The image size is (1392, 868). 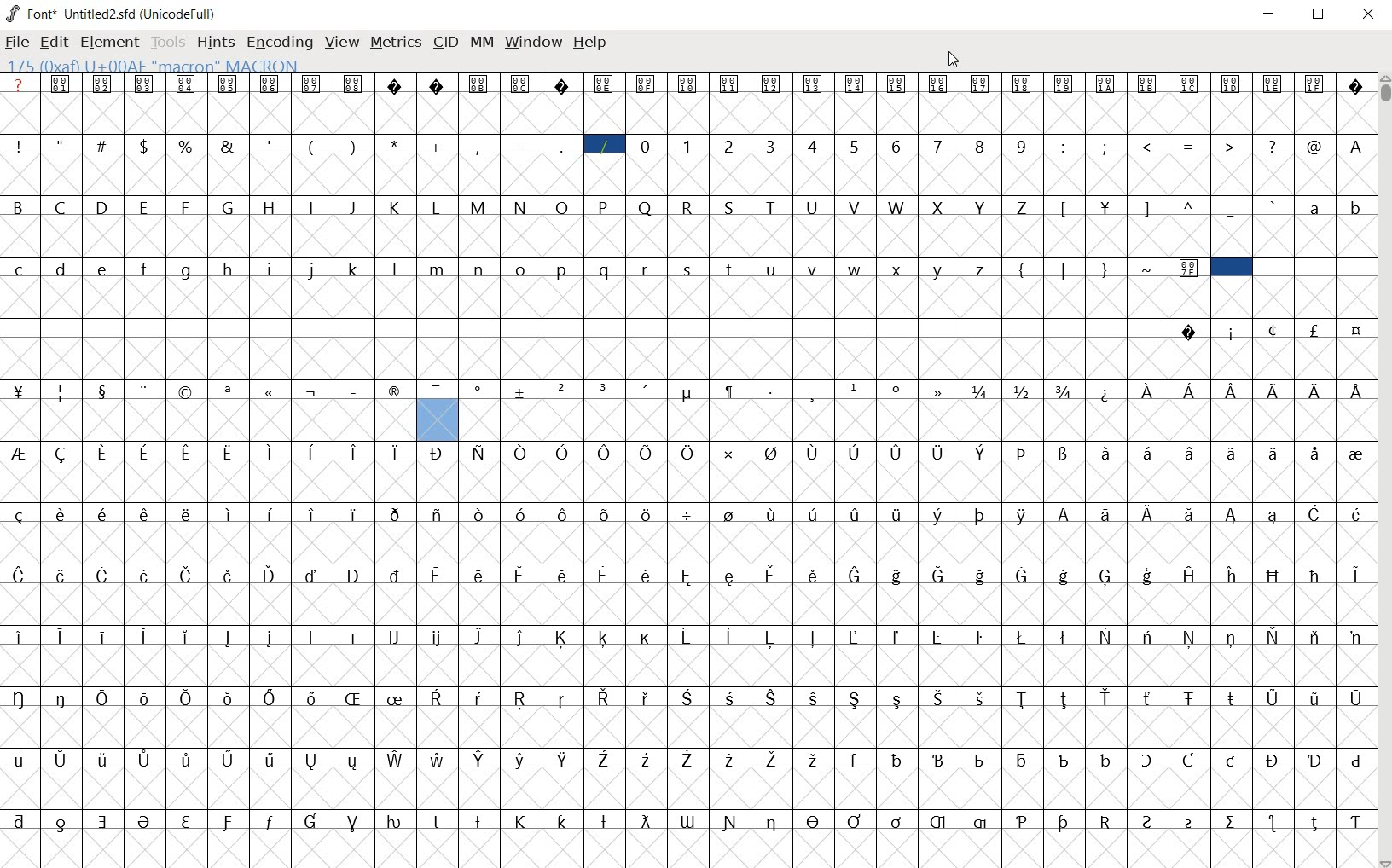 What do you see at coordinates (897, 146) in the screenshot?
I see `6` at bounding box center [897, 146].